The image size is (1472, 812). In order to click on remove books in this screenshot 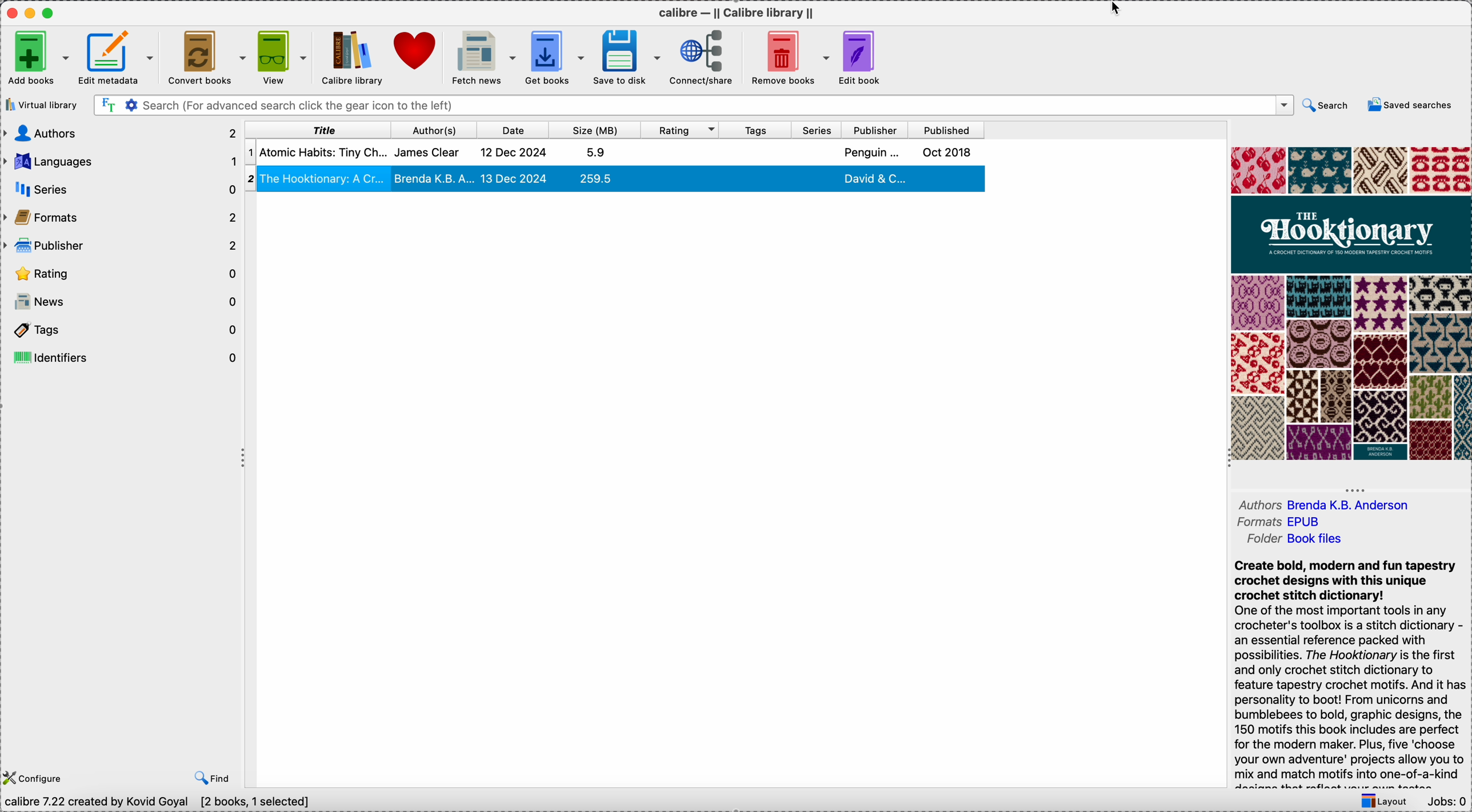, I will do `click(789, 57)`.